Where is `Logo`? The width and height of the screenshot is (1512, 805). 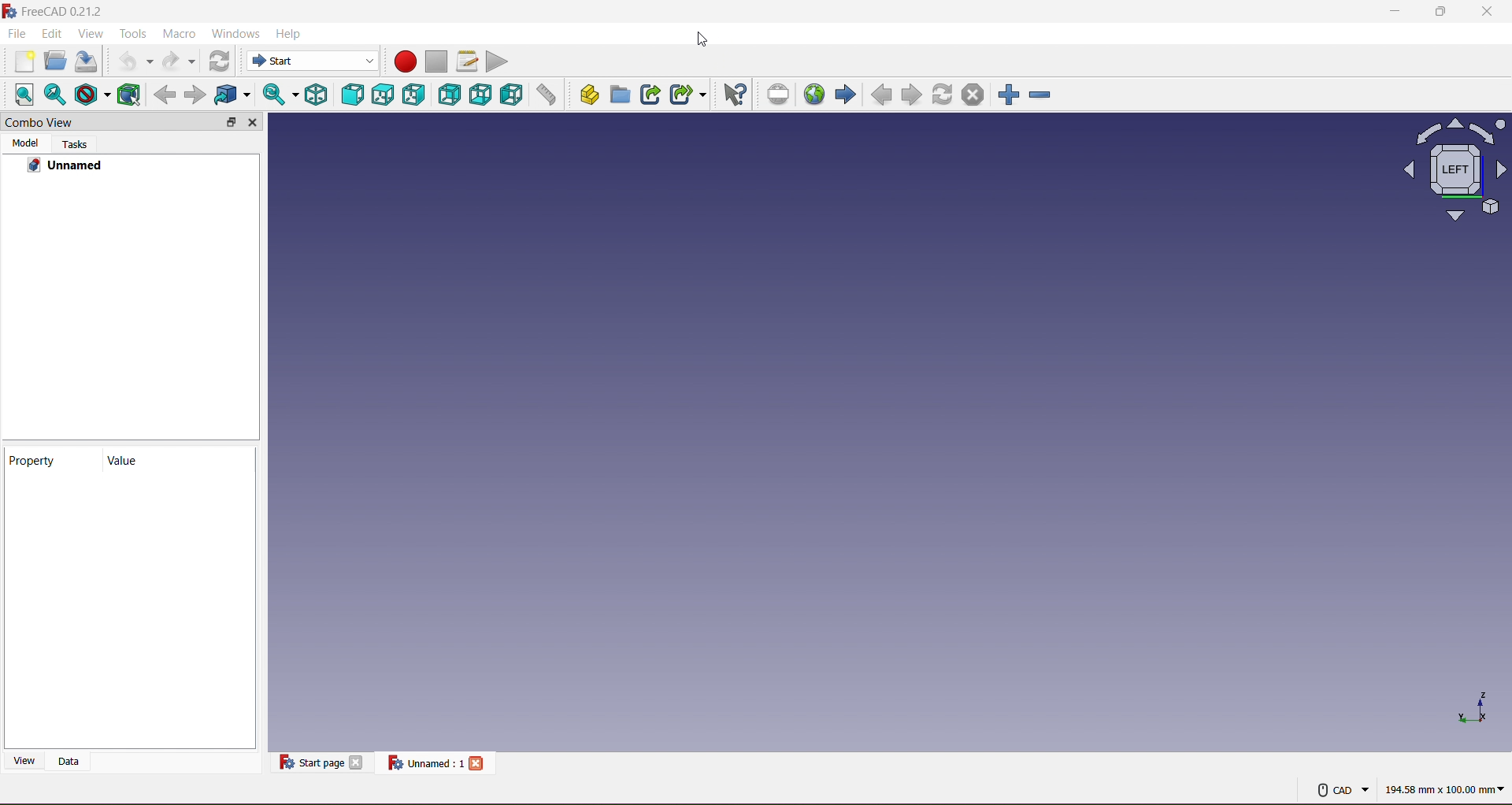
Logo is located at coordinates (9, 11).